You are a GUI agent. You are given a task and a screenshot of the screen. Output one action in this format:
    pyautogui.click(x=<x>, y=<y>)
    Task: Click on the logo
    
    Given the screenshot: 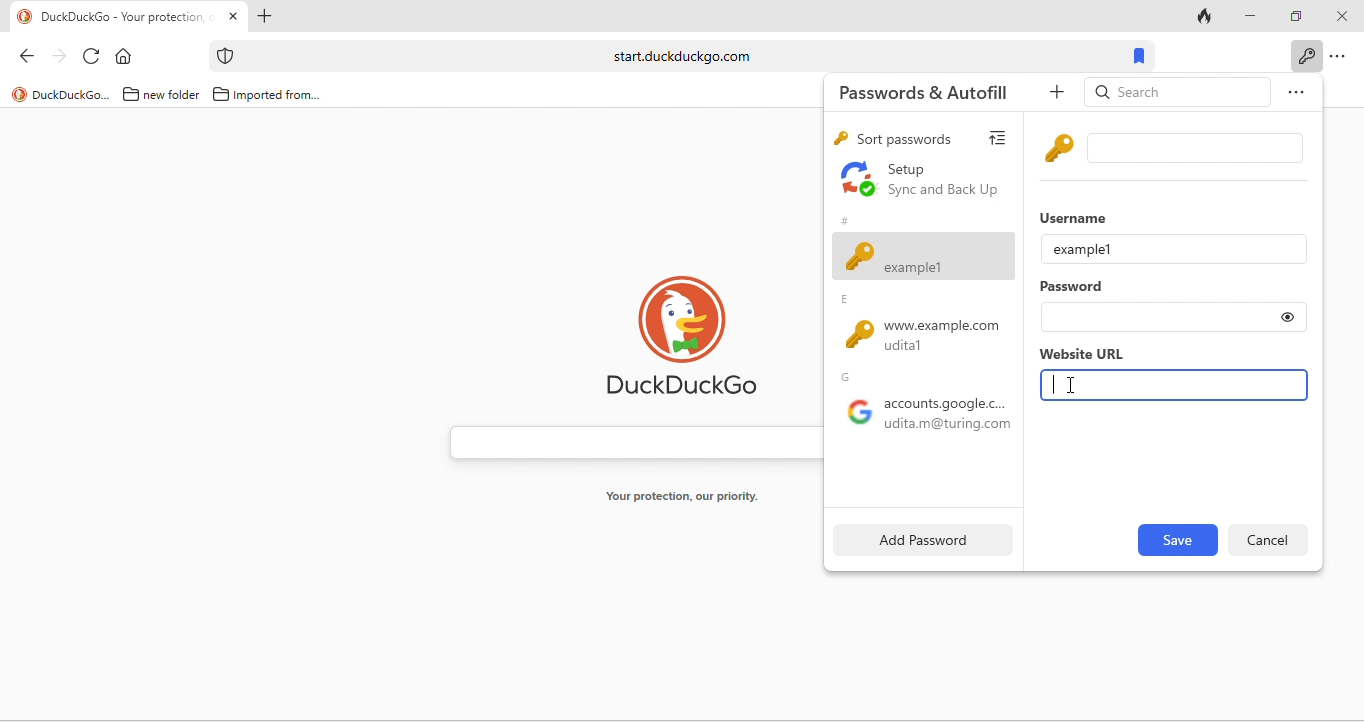 What is the action you would take?
    pyautogui.click(x=25, y=17)
    